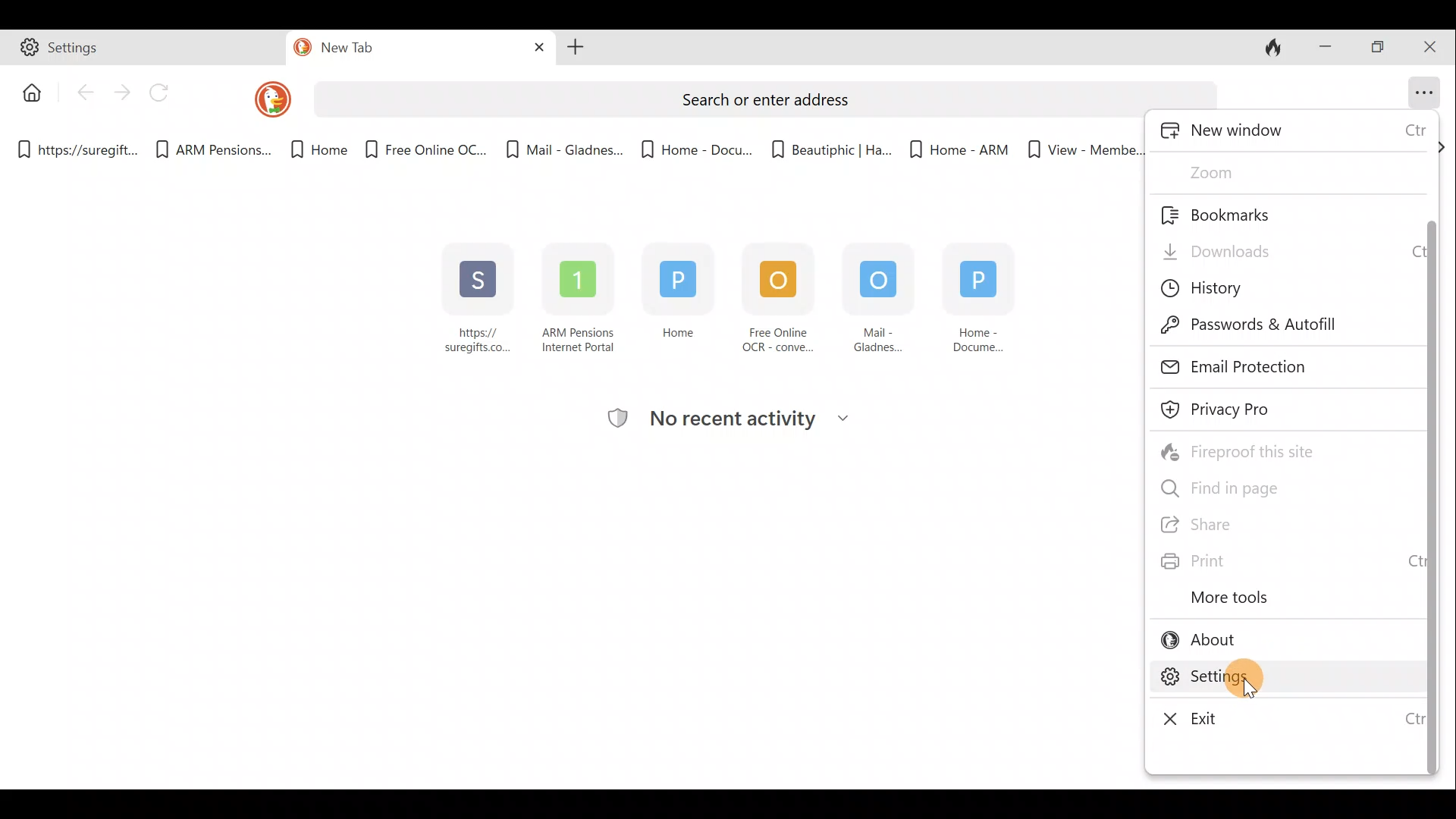 This screenshot has height=819, width=1456. What do you see at coordinates (1225, 526) in the screenshot?
I see `Share` at bounding box center [1225, 526].